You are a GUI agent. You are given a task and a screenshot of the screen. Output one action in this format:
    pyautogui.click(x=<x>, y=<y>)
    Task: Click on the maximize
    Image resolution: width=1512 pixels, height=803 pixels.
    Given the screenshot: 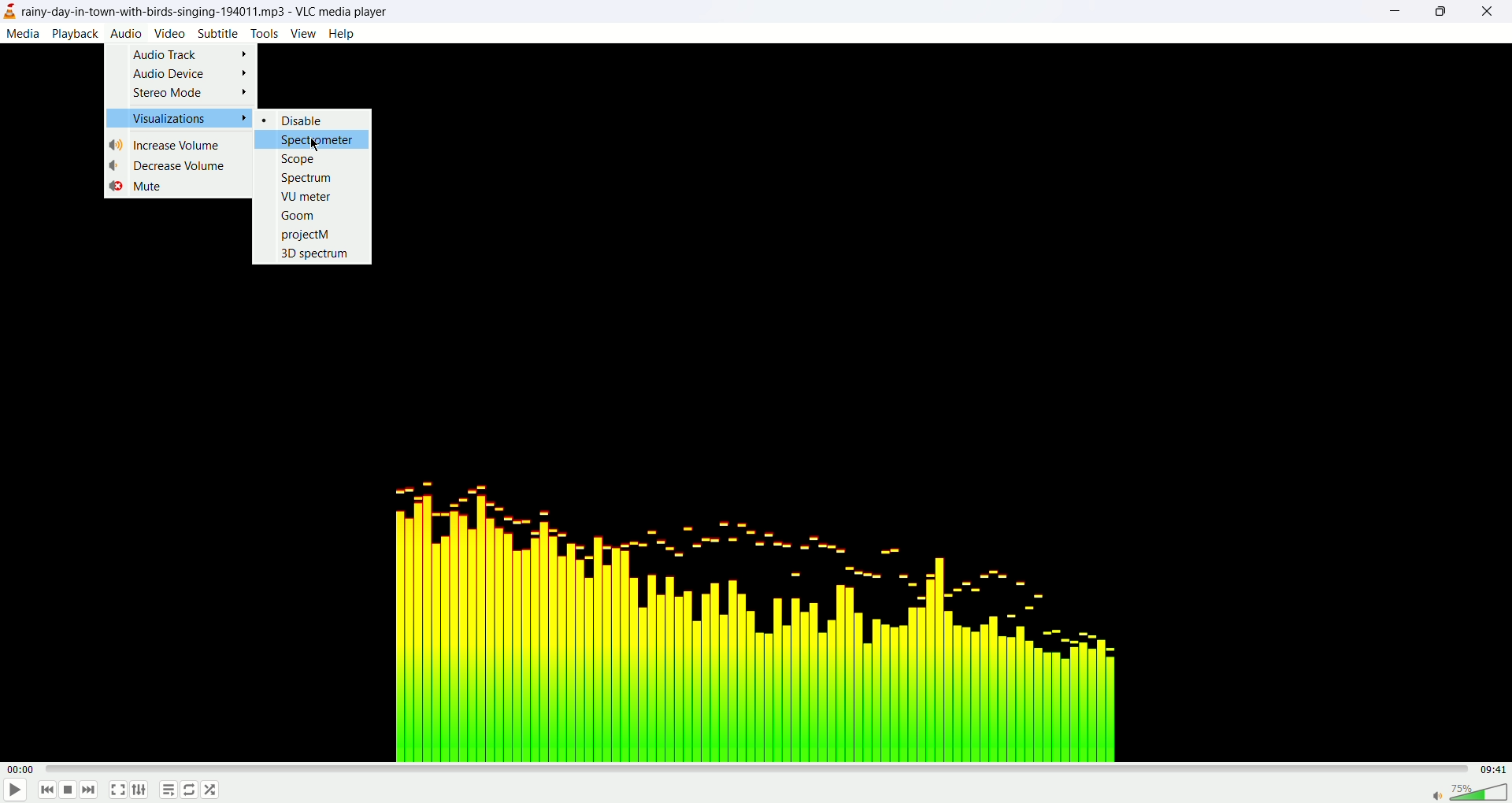 What is the action you would take?
    pyautogui.click(x=1443, y=13)
    